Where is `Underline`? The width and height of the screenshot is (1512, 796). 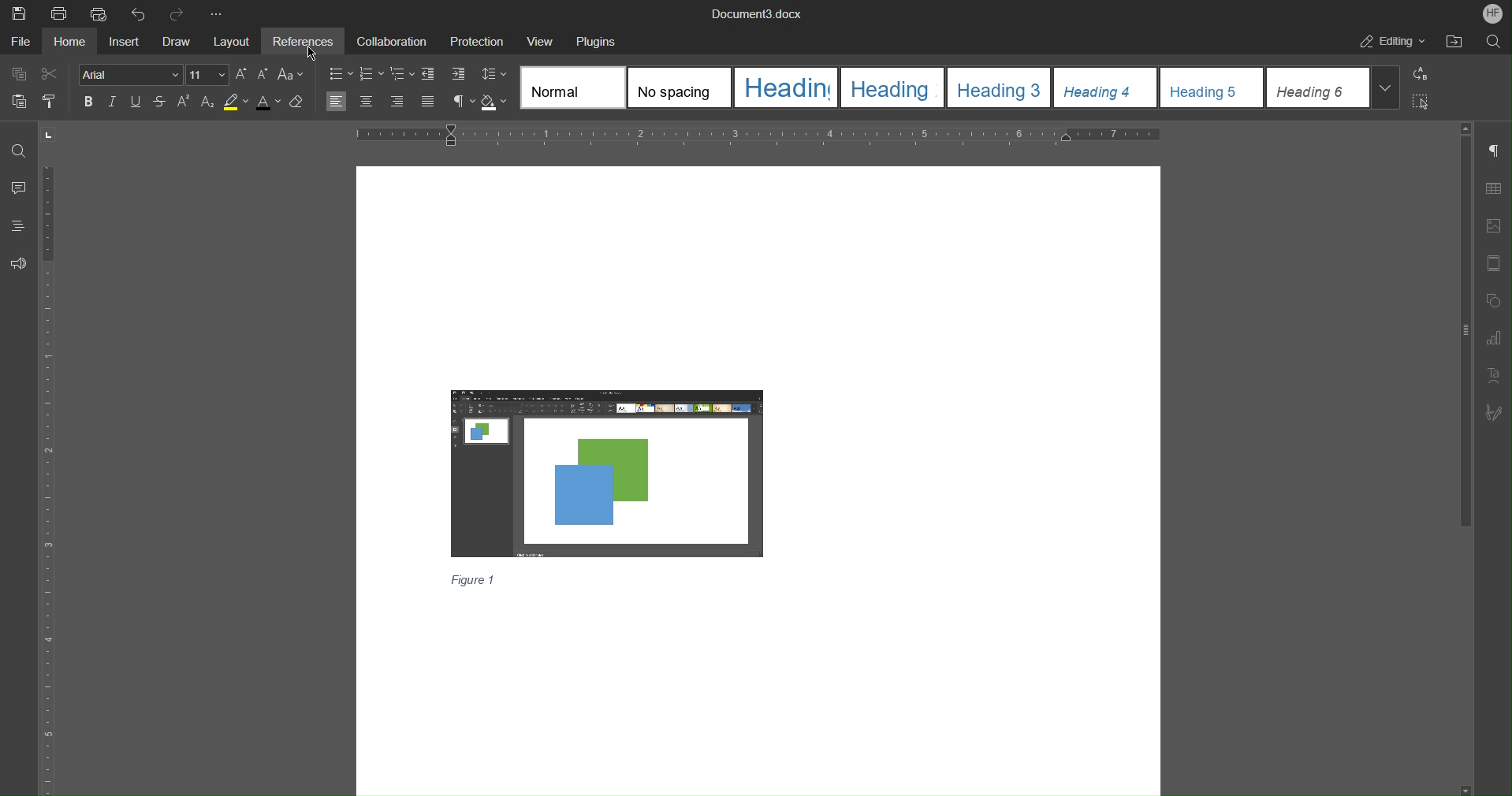 Underline is located at coordinates (136, 102).